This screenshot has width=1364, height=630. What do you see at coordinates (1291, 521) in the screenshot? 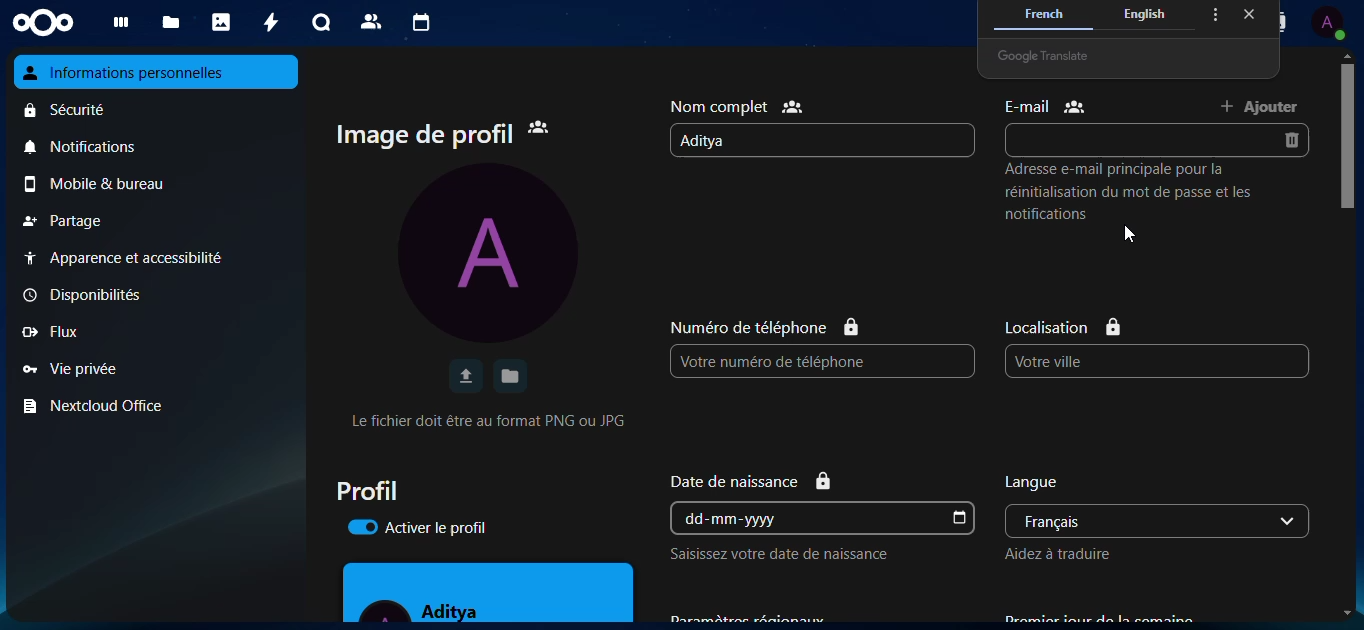
I see `drop down` at bounding box center [1291, 521].